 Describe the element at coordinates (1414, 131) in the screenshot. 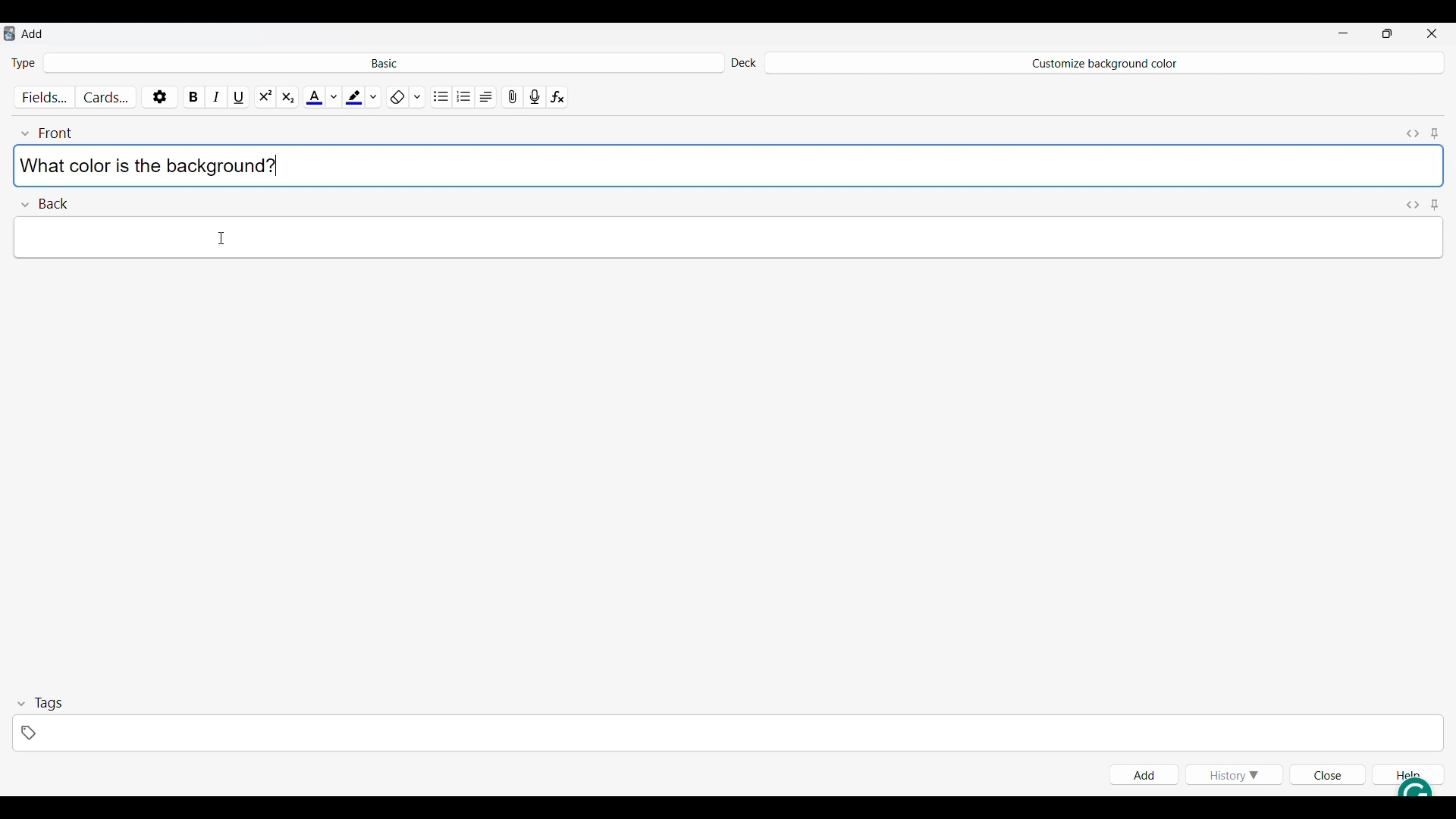

I see `Toggle HTML editor` at that location.